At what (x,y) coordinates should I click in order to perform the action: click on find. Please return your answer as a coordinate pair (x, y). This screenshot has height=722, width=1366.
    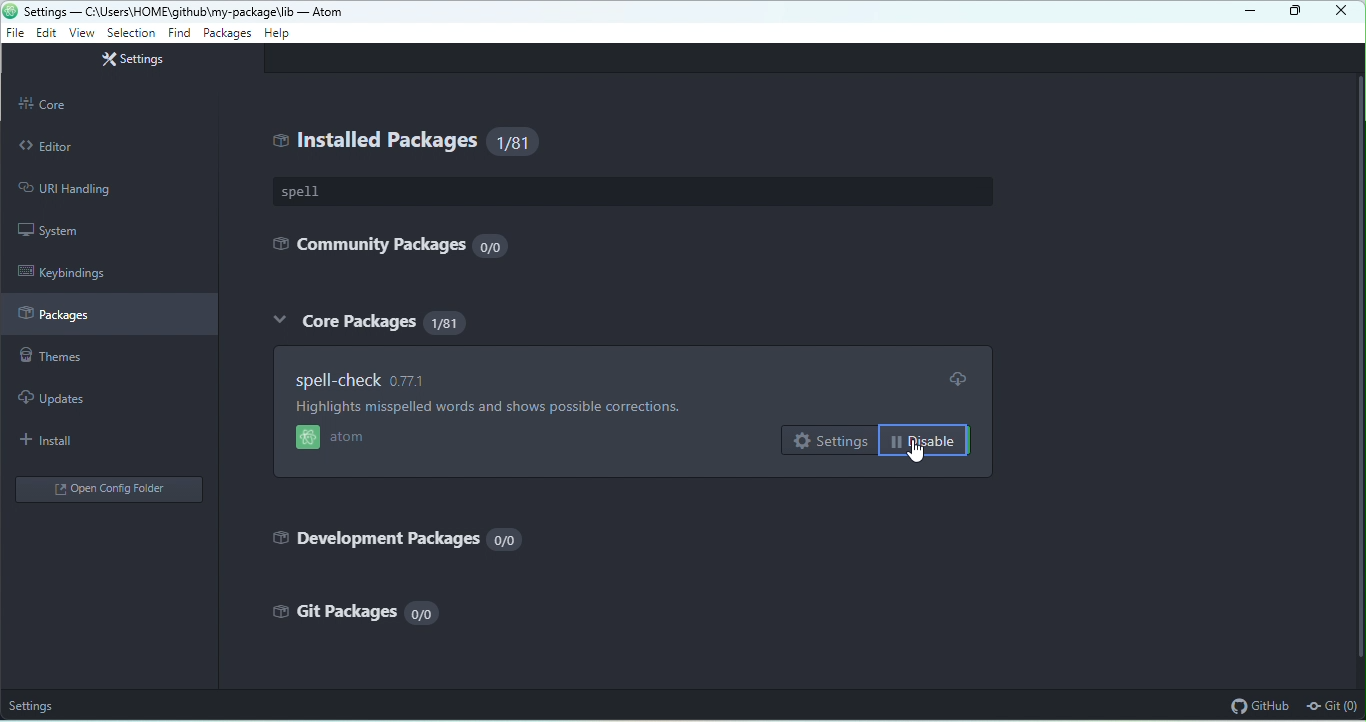
    Looking at the image, I should click on (179, 33).